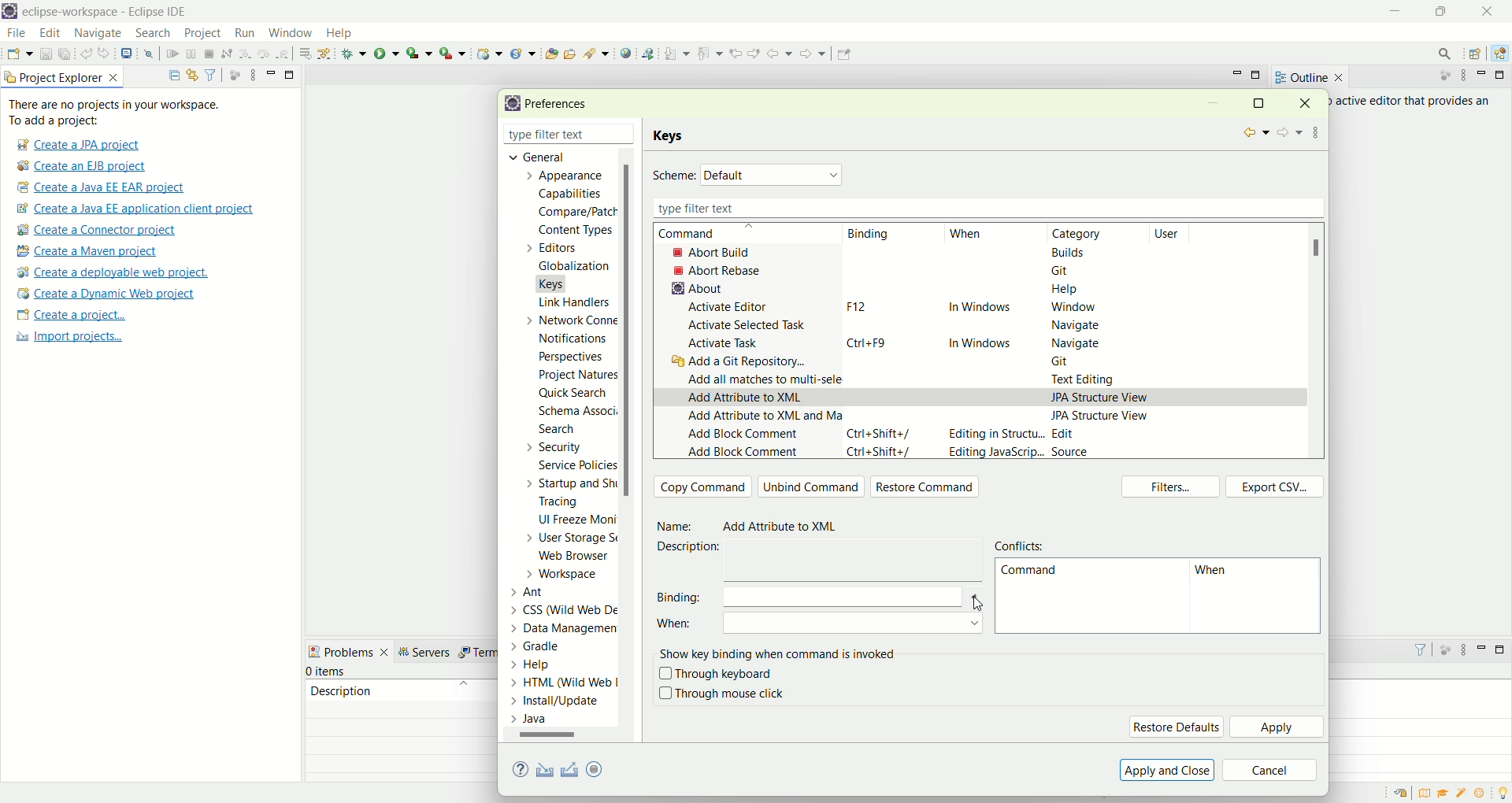 The width and height of the screenshot is (1512, 803). Describe the element at coordinates (573, 194) in the screenshot. I see `capabilities` at that location.